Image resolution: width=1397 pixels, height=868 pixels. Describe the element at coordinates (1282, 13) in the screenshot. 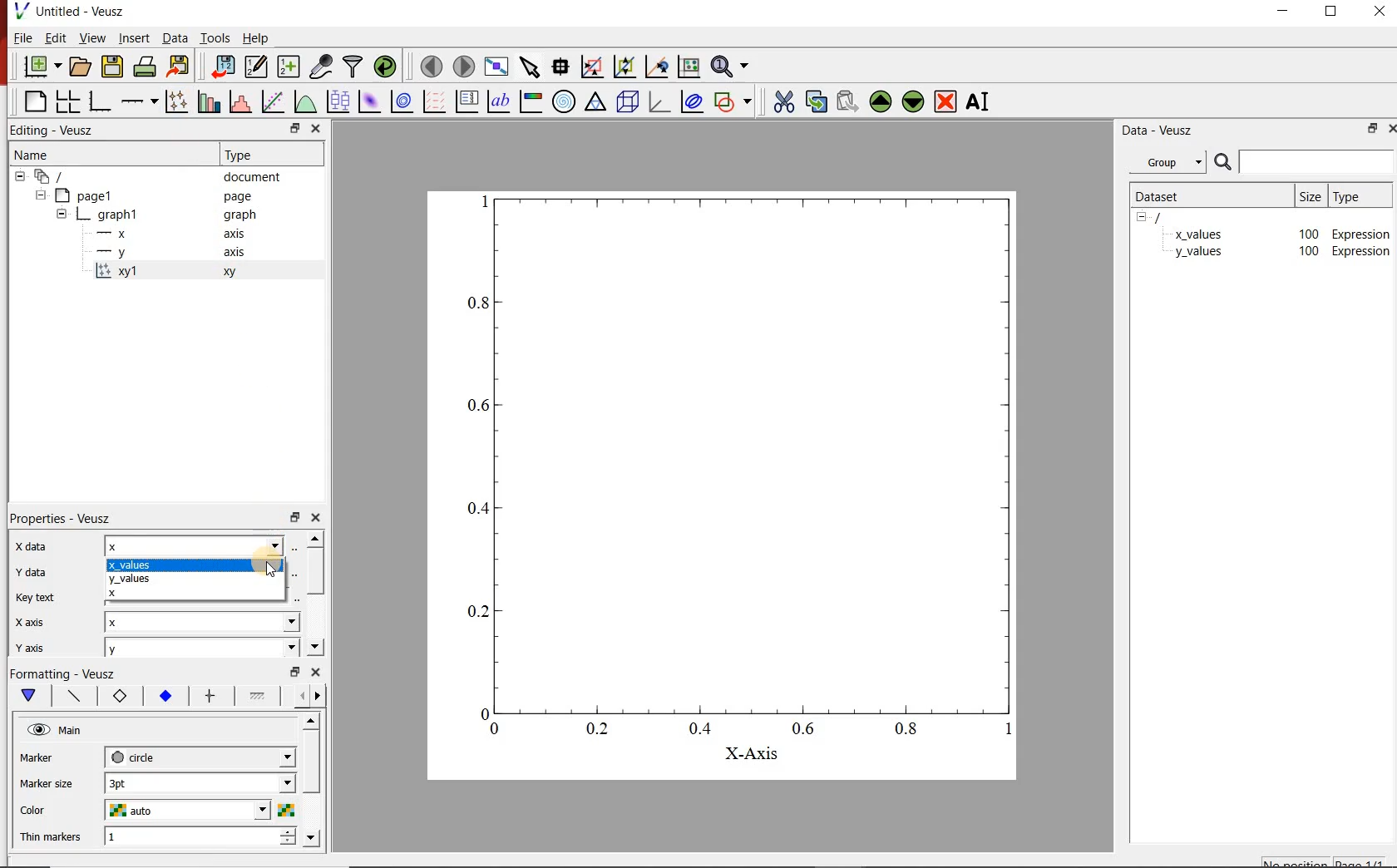

I see `minimize` at that location.